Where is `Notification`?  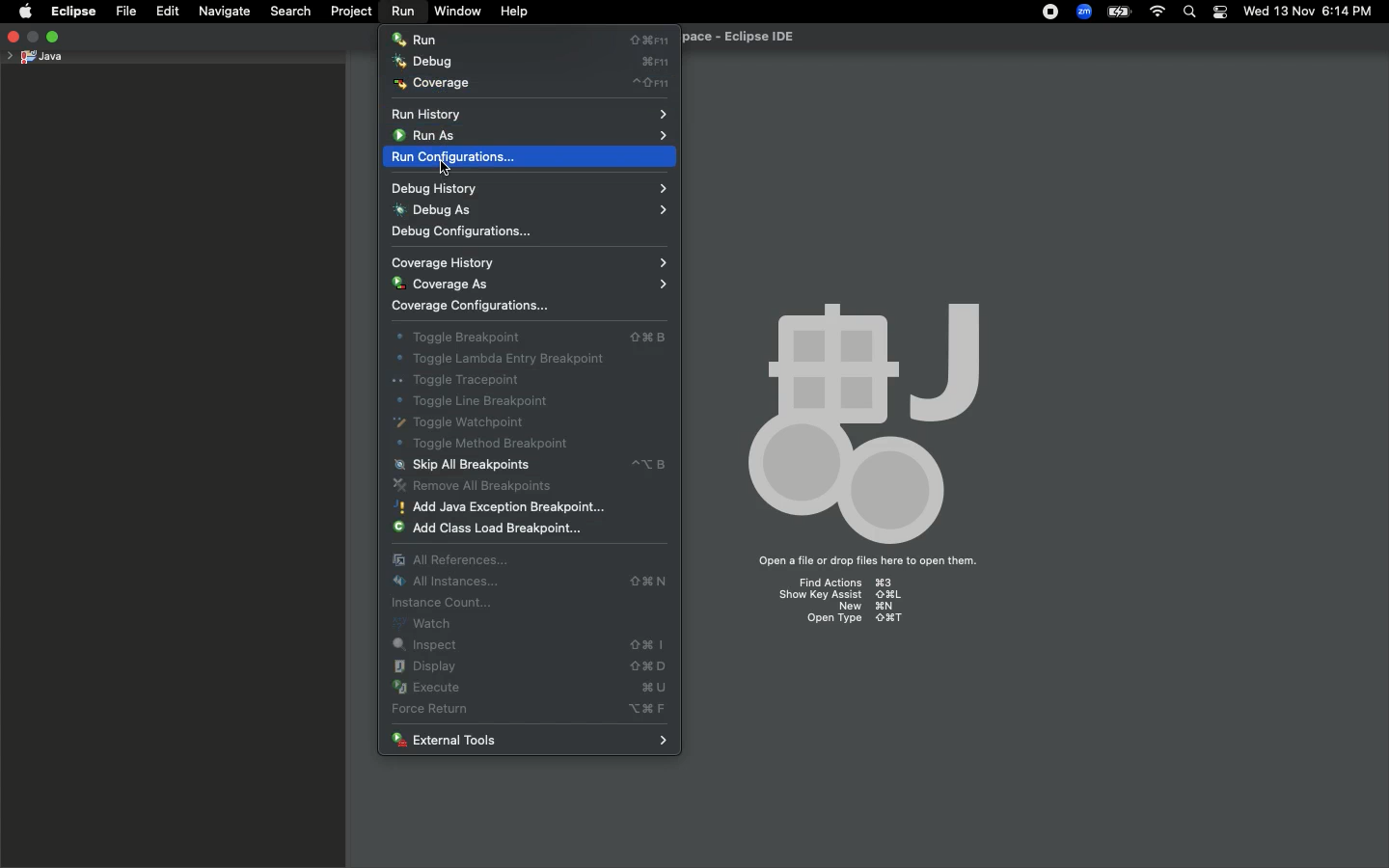 Notification is located at coordinates (1221, 13).